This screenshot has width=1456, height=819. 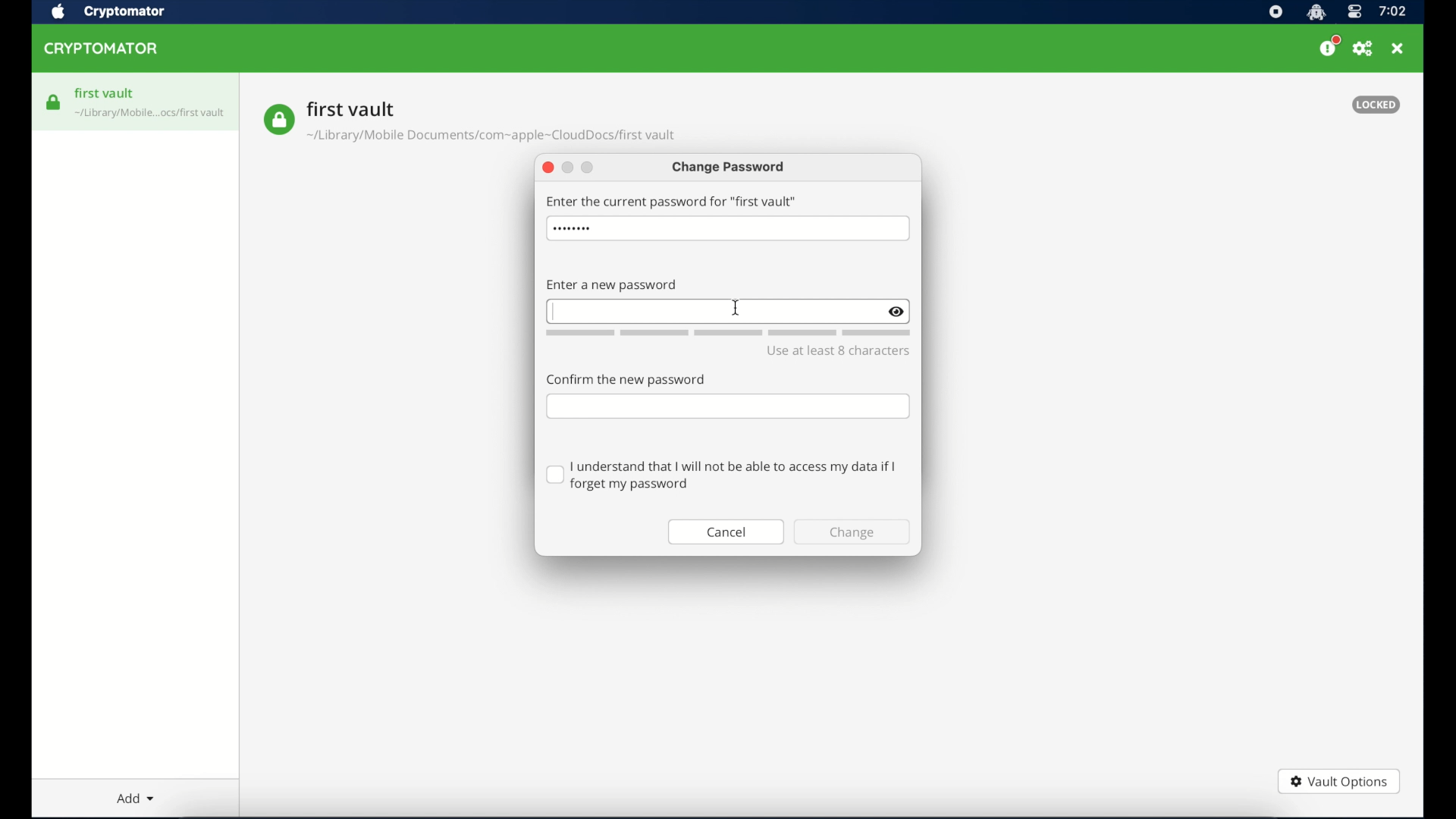 I want to click on cursor, so click(x=736, y=308).